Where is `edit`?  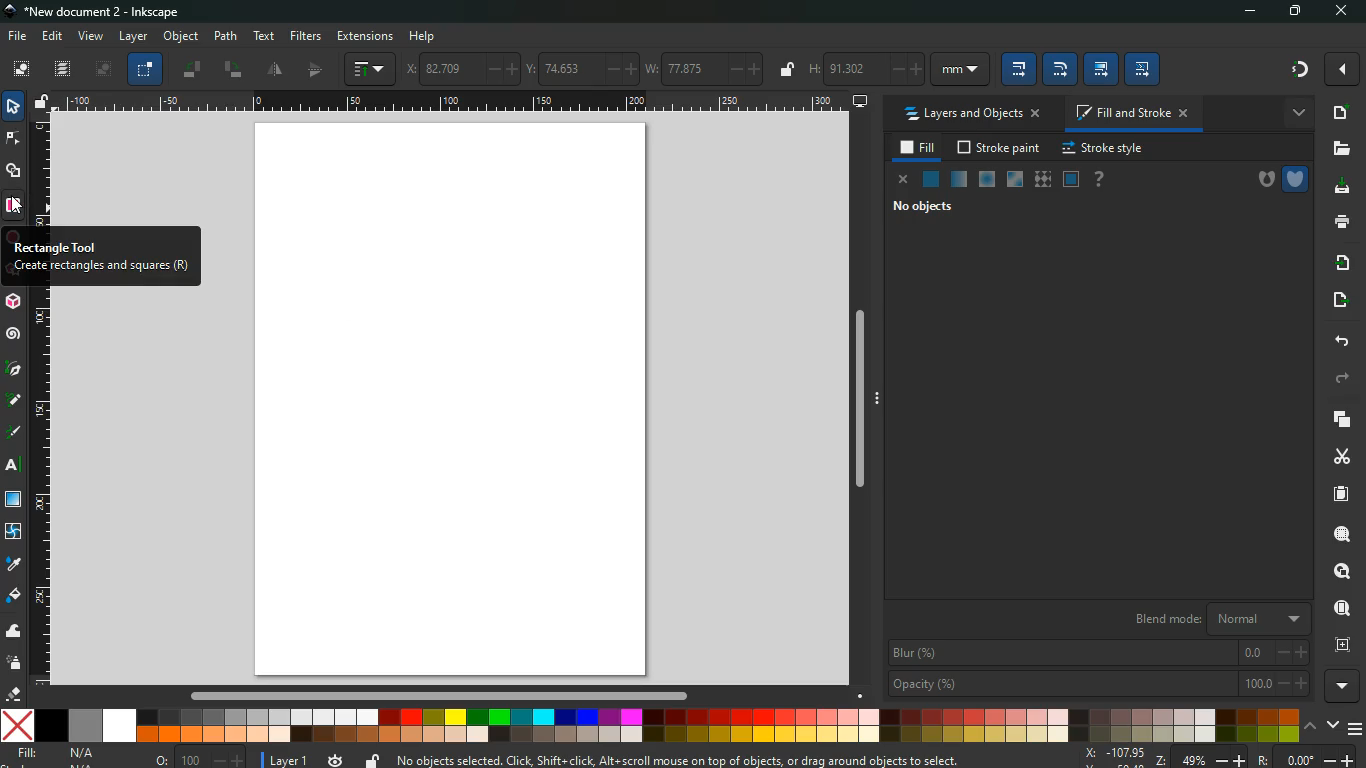 edit is located at coordinates (1018, 68).